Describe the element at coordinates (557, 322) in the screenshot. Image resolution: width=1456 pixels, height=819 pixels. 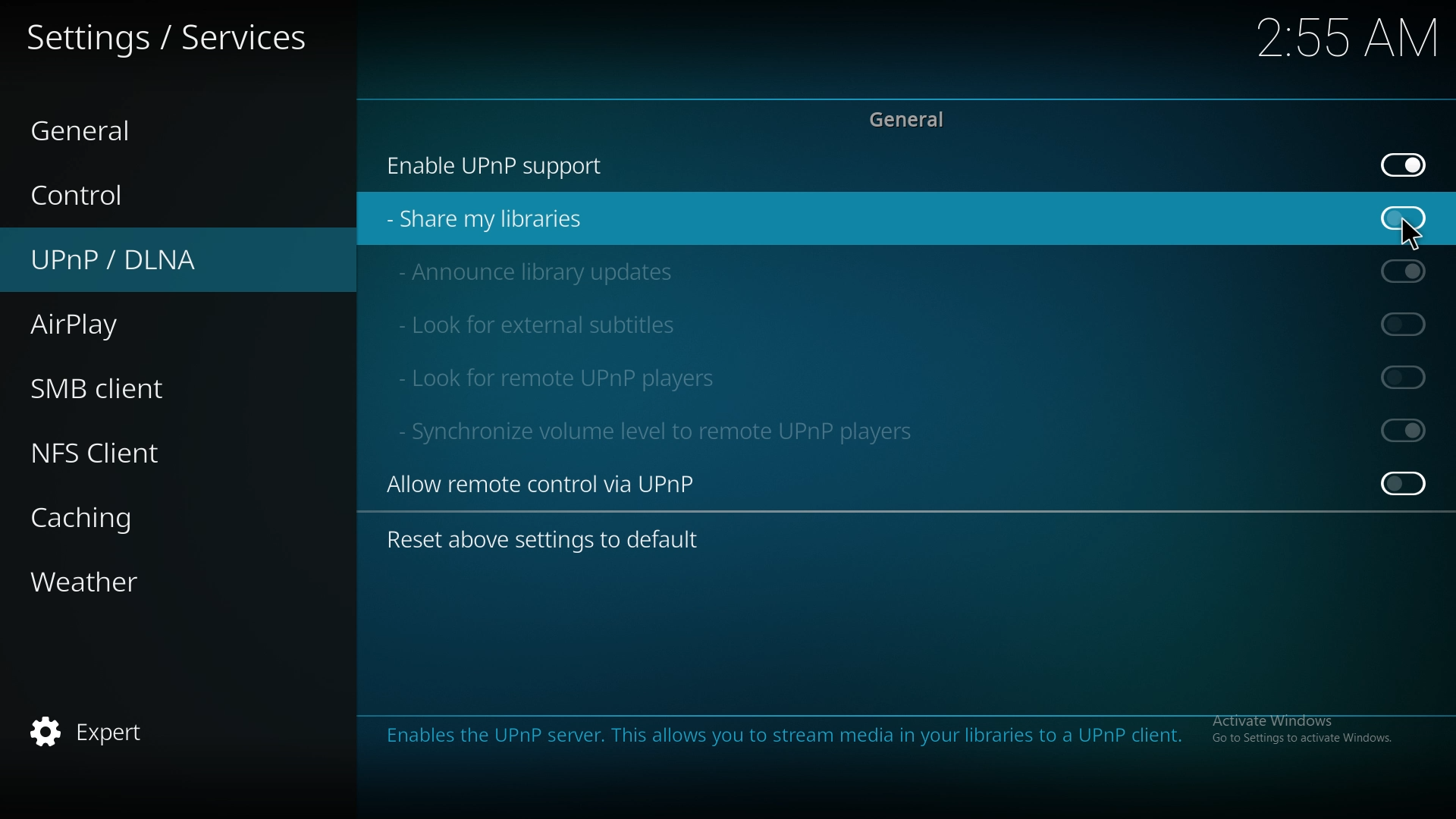
I see `look for external subtitles` at that location.